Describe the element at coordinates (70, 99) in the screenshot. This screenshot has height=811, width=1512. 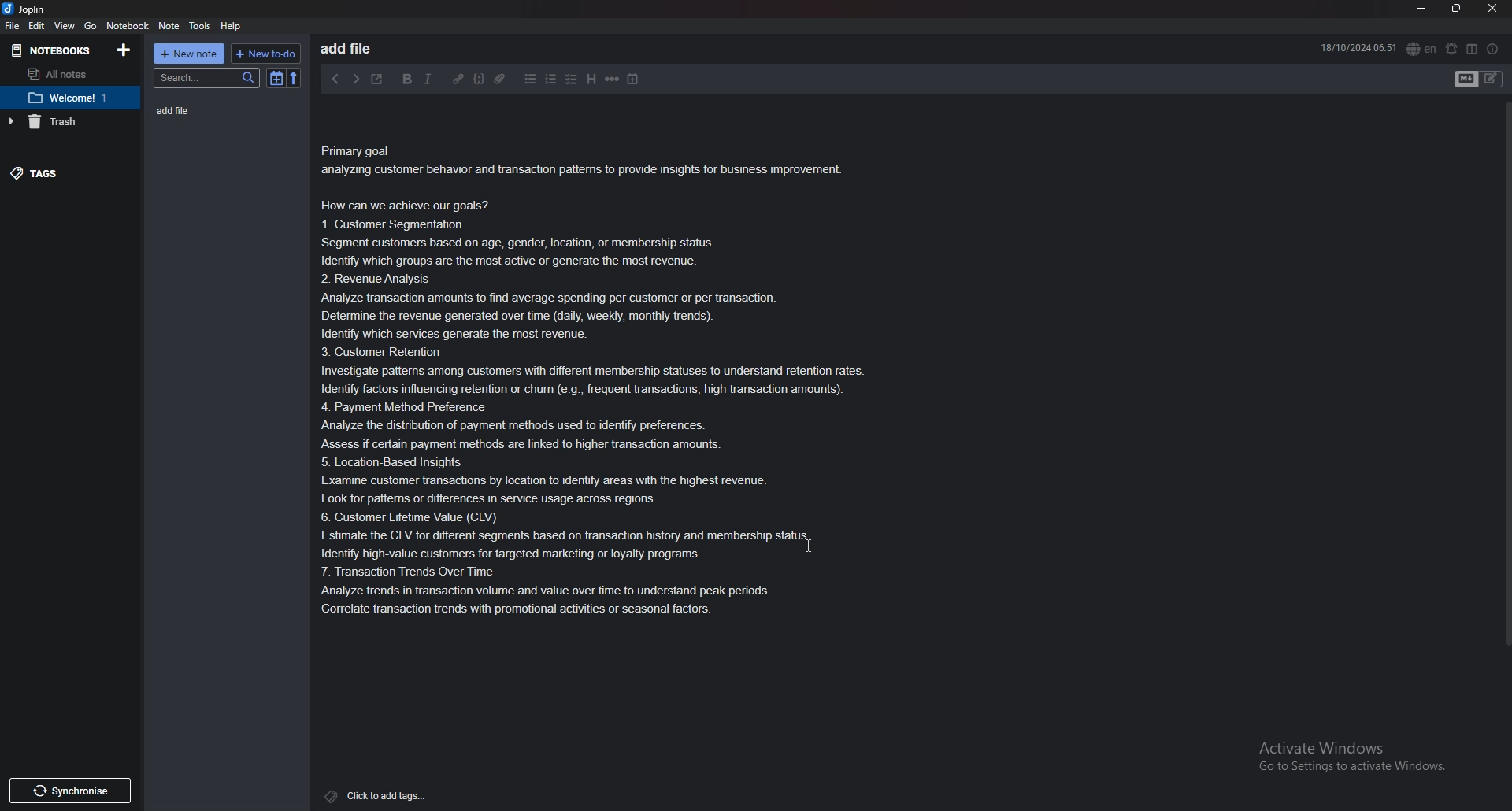
I see `Notebook` at that location.